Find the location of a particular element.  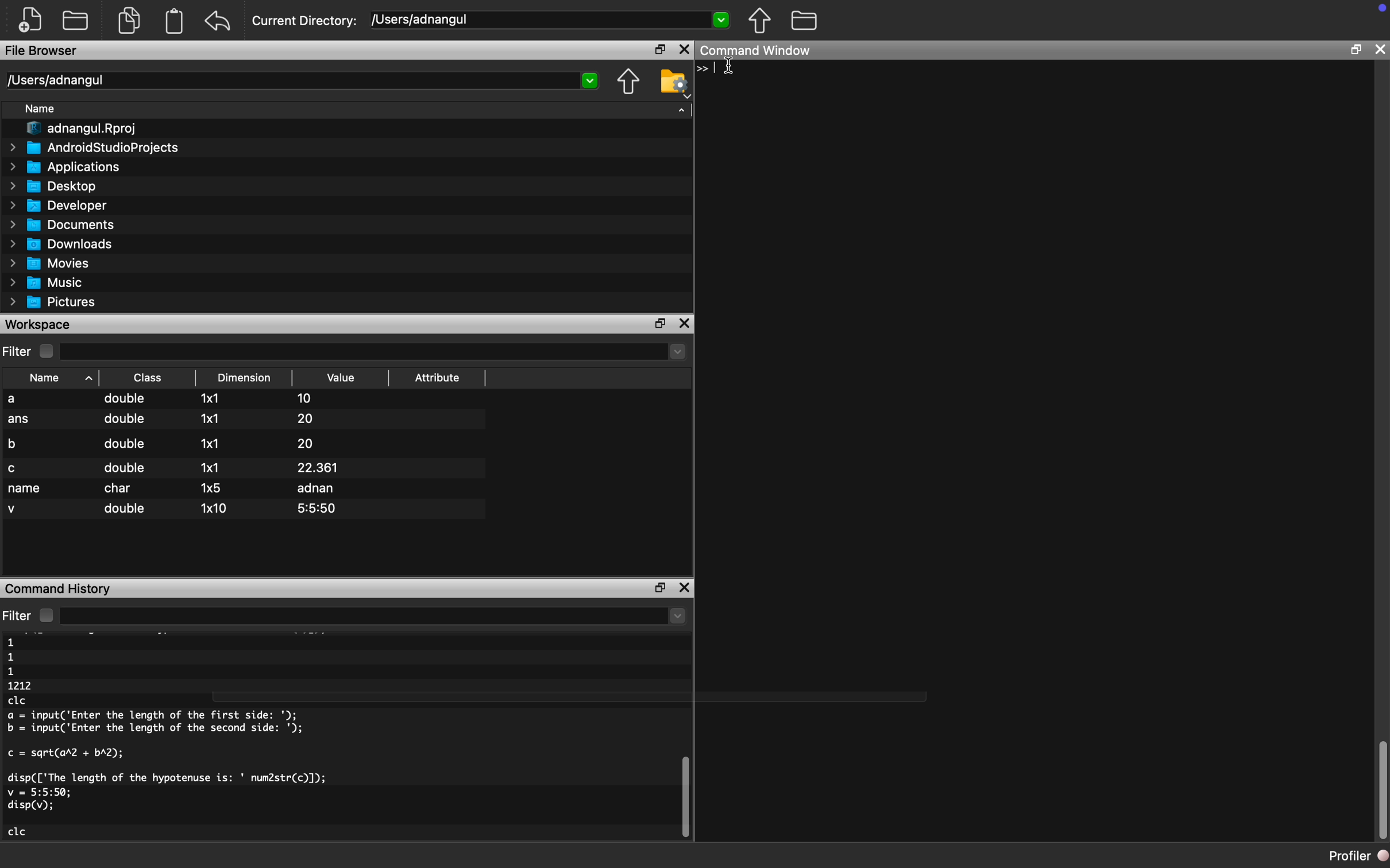

name is located at coordinates (25, 489).